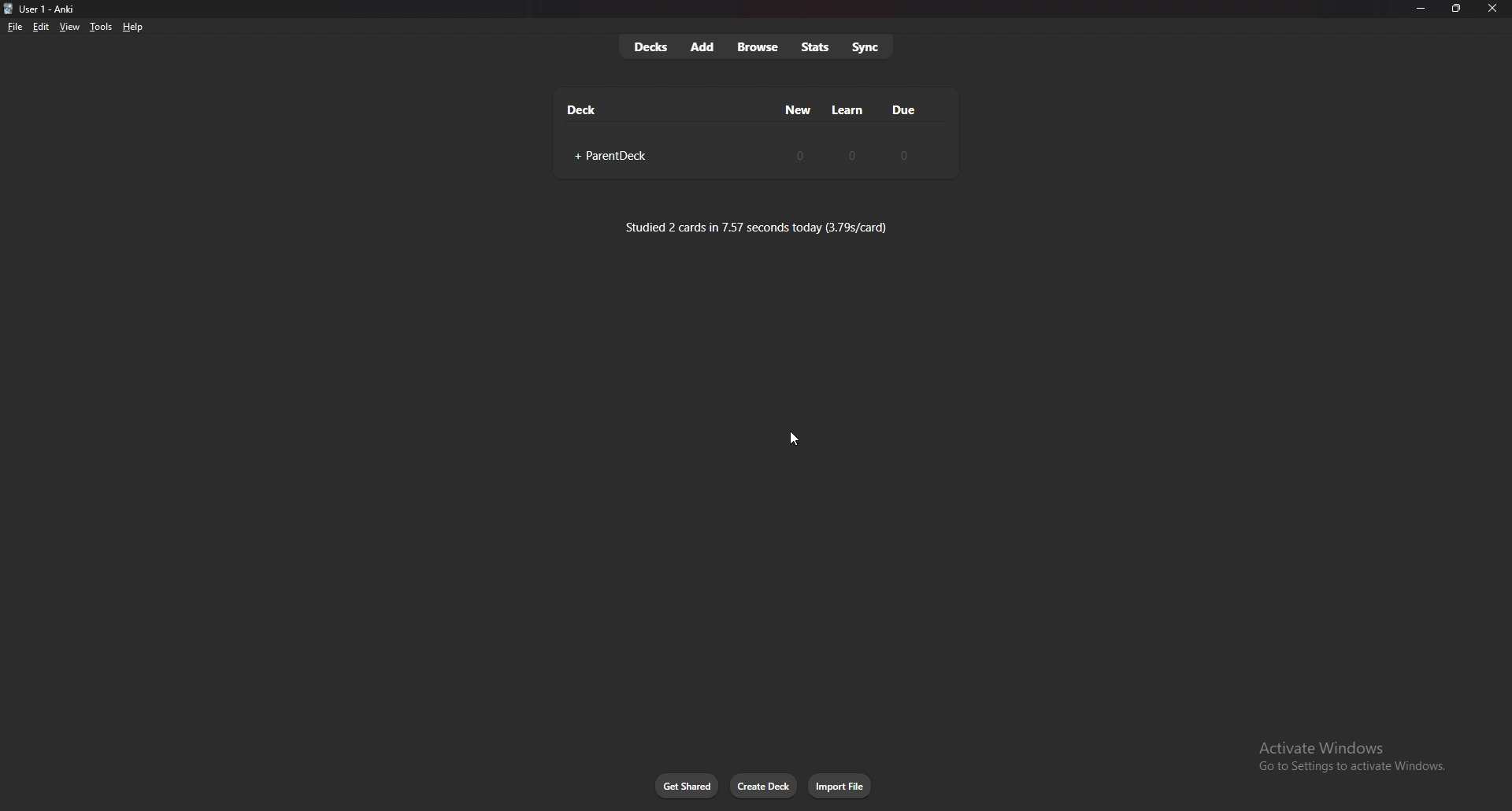  I want to click on add, so click(703, 46).